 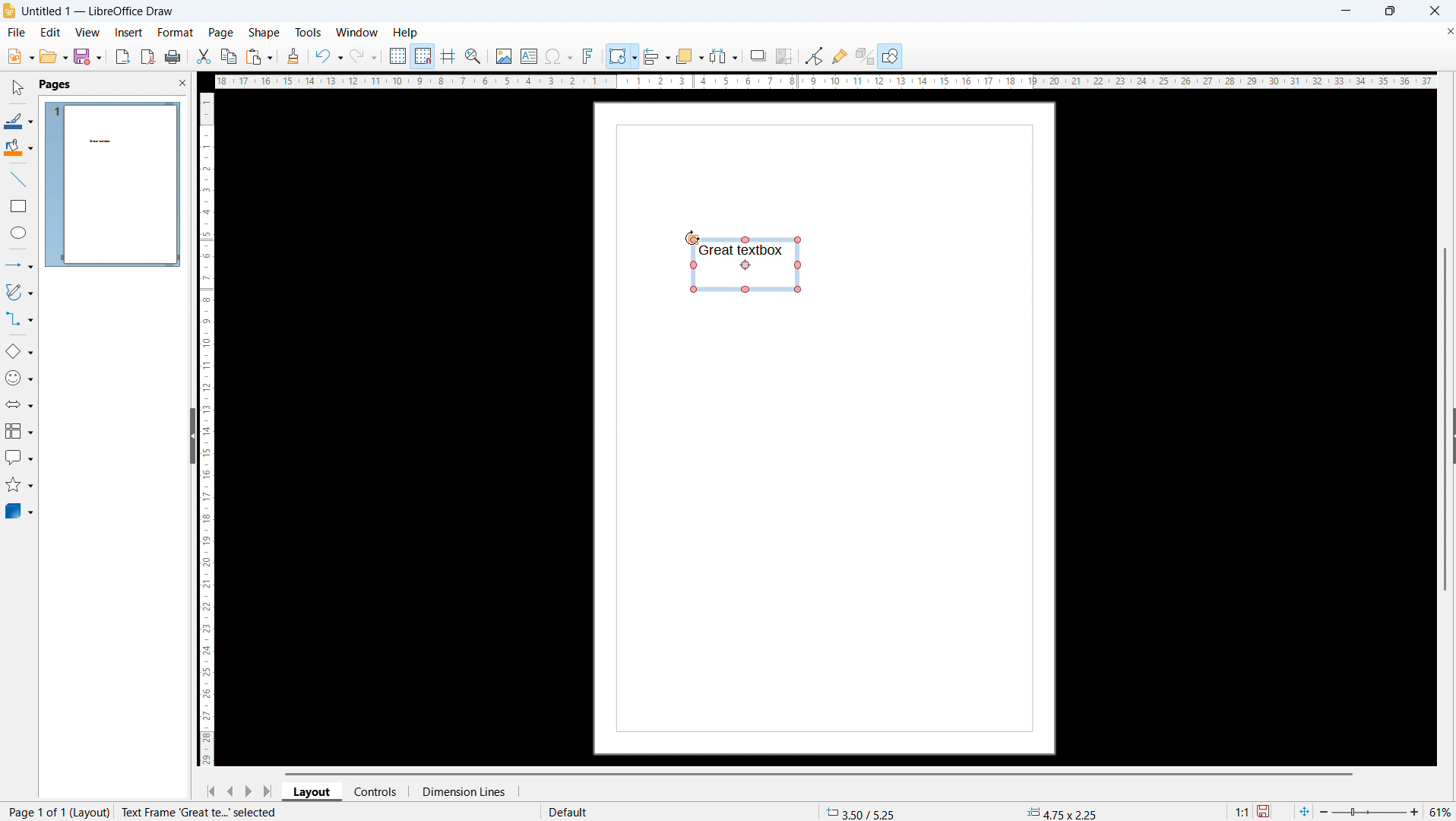 I want to click on toggle point edit mode, so click(x=815, y=55).